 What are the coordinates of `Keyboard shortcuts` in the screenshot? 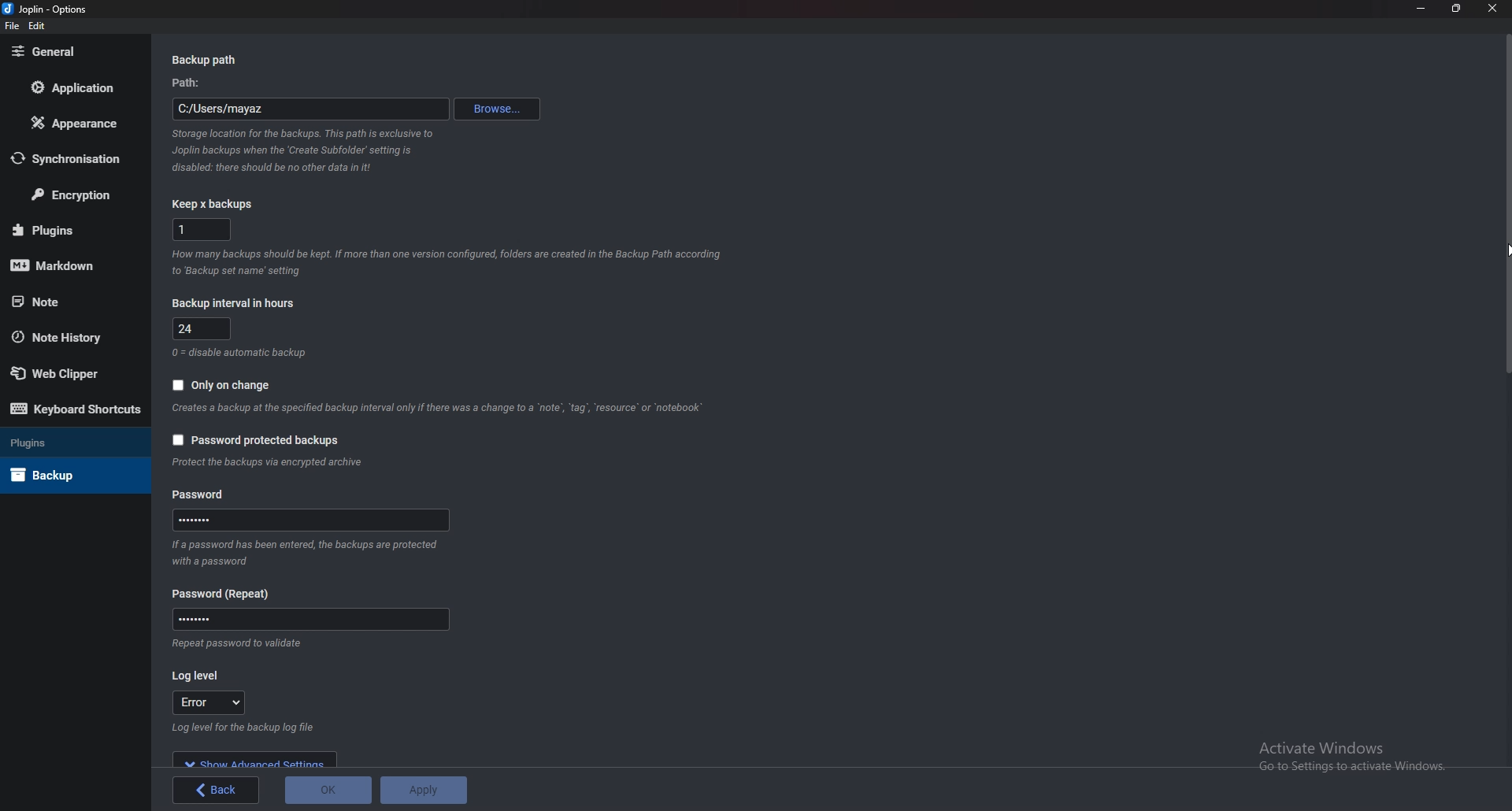 It's located at (76, 408).